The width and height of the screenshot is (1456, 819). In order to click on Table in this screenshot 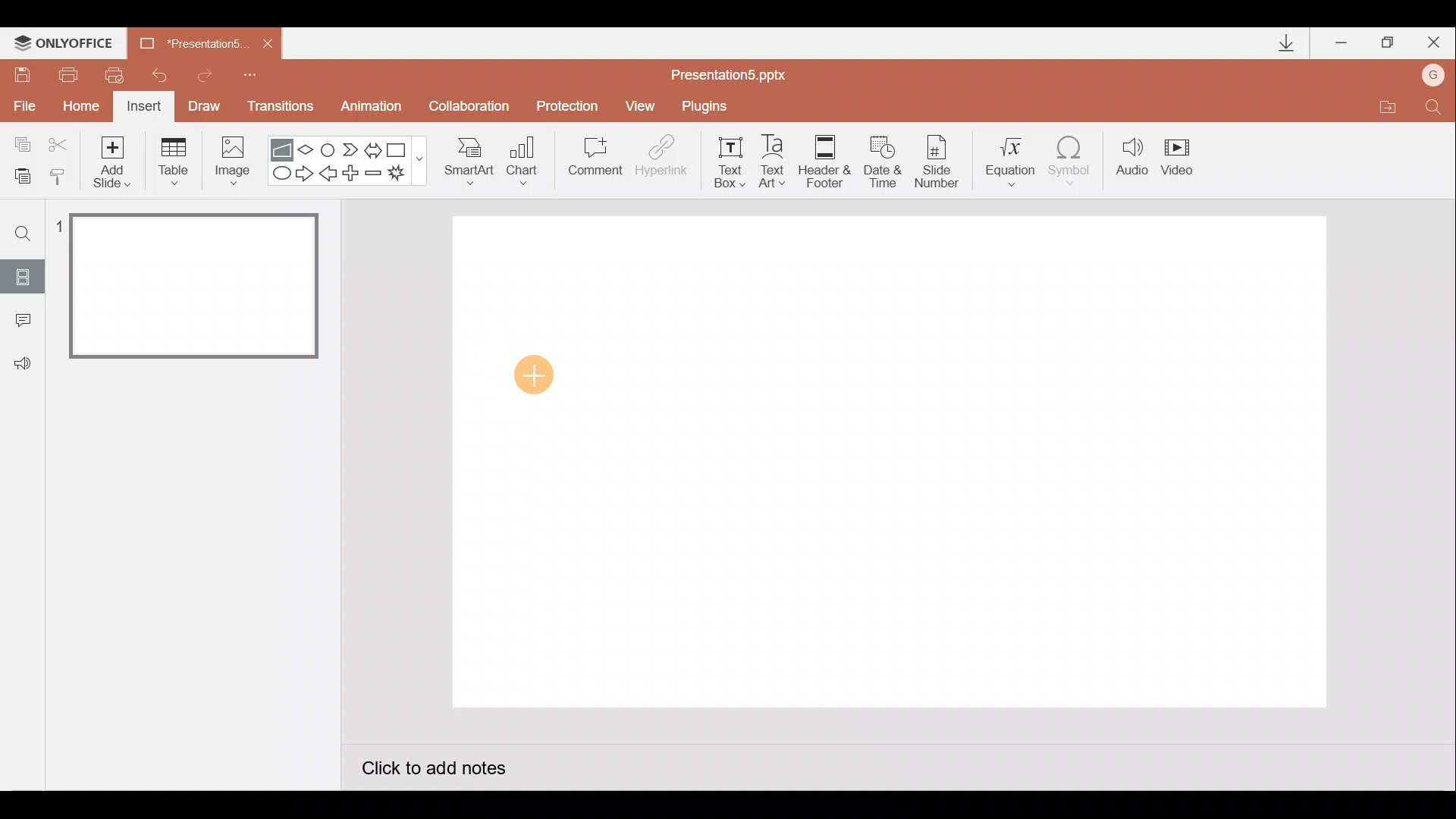, I will do `click(172, 160)`.